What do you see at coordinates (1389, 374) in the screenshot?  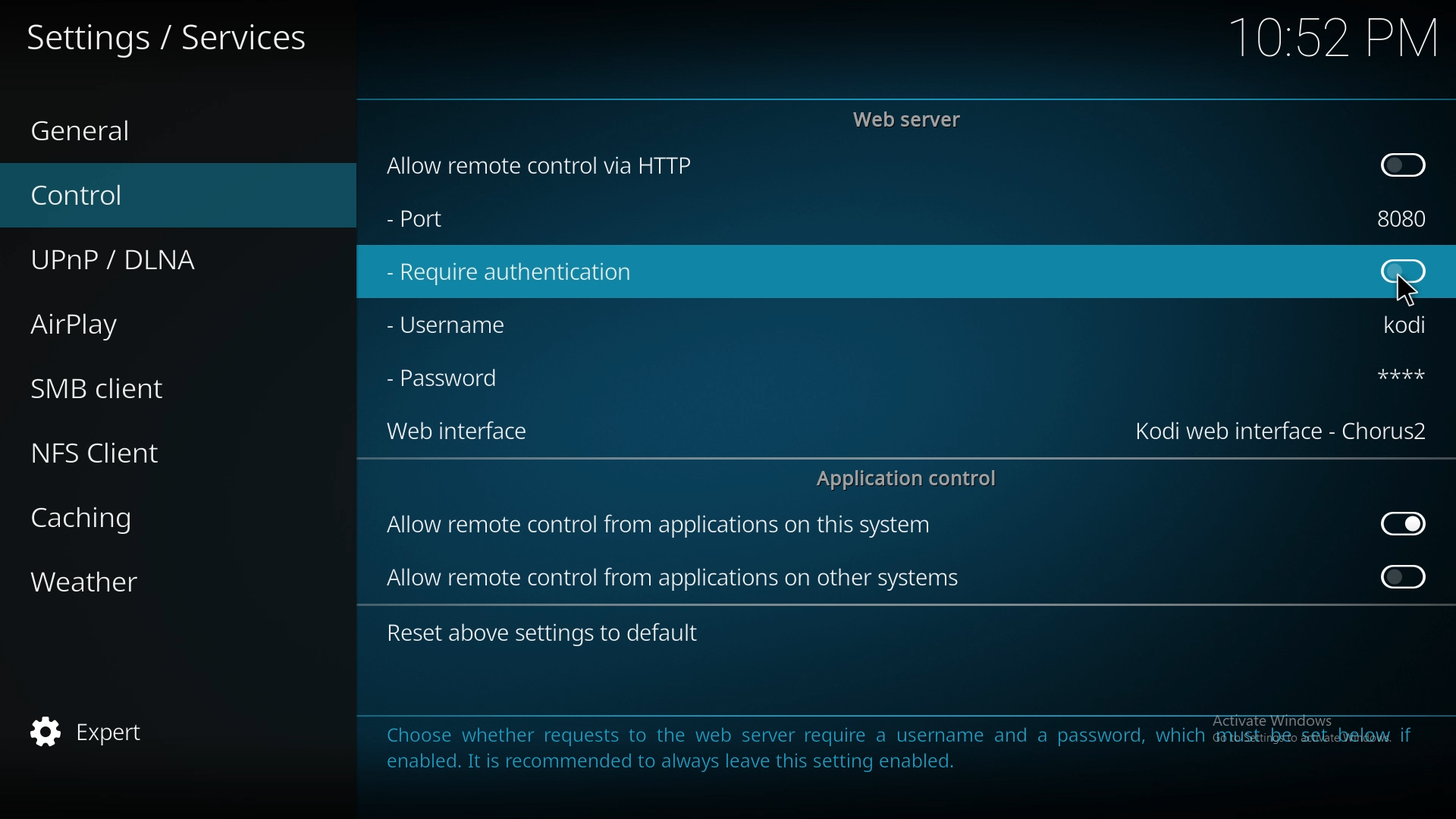 I see `password` at bounding box center [1389, 374].